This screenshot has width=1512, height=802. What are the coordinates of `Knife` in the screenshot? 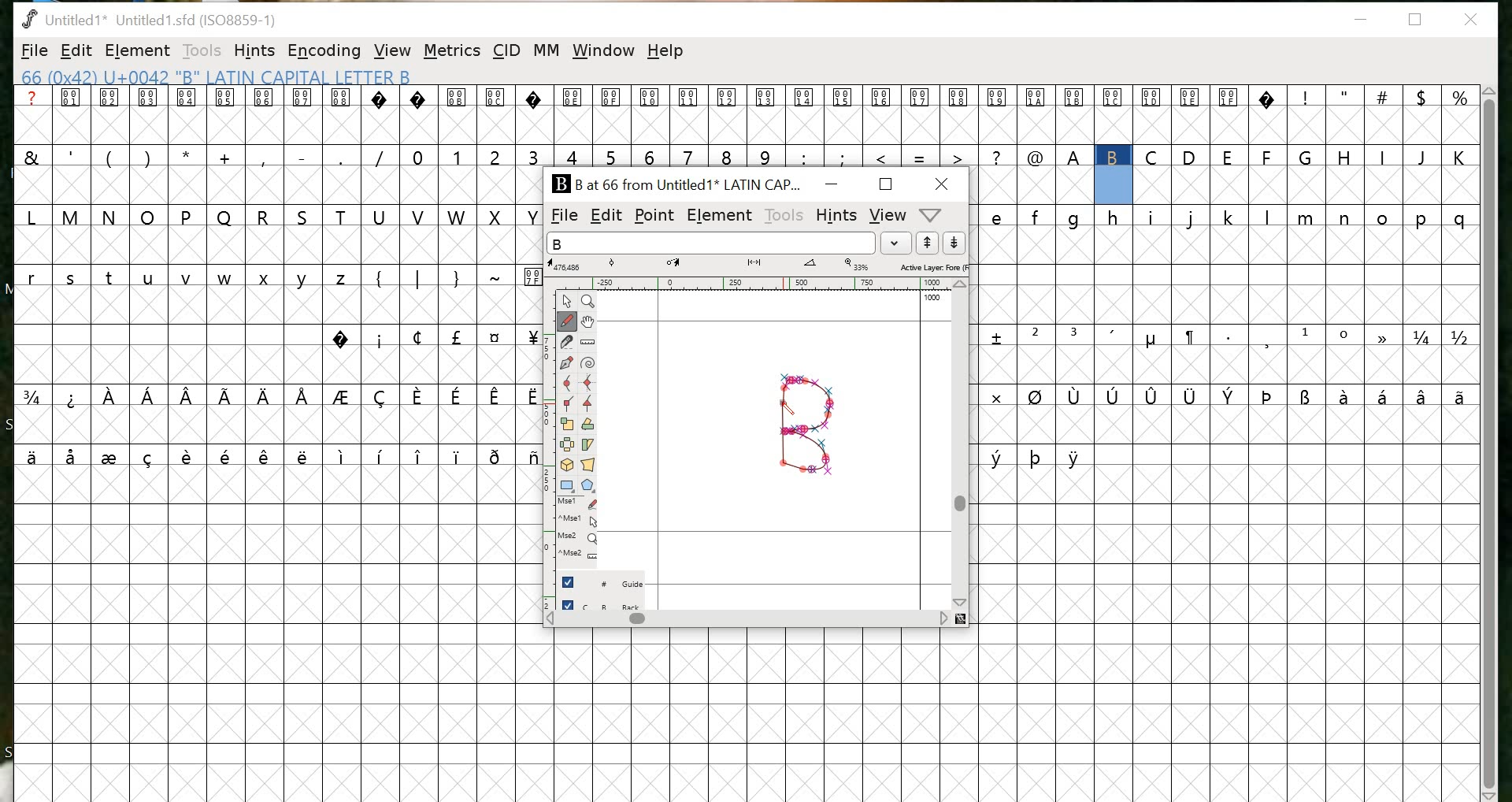 It's located at (568, 344).